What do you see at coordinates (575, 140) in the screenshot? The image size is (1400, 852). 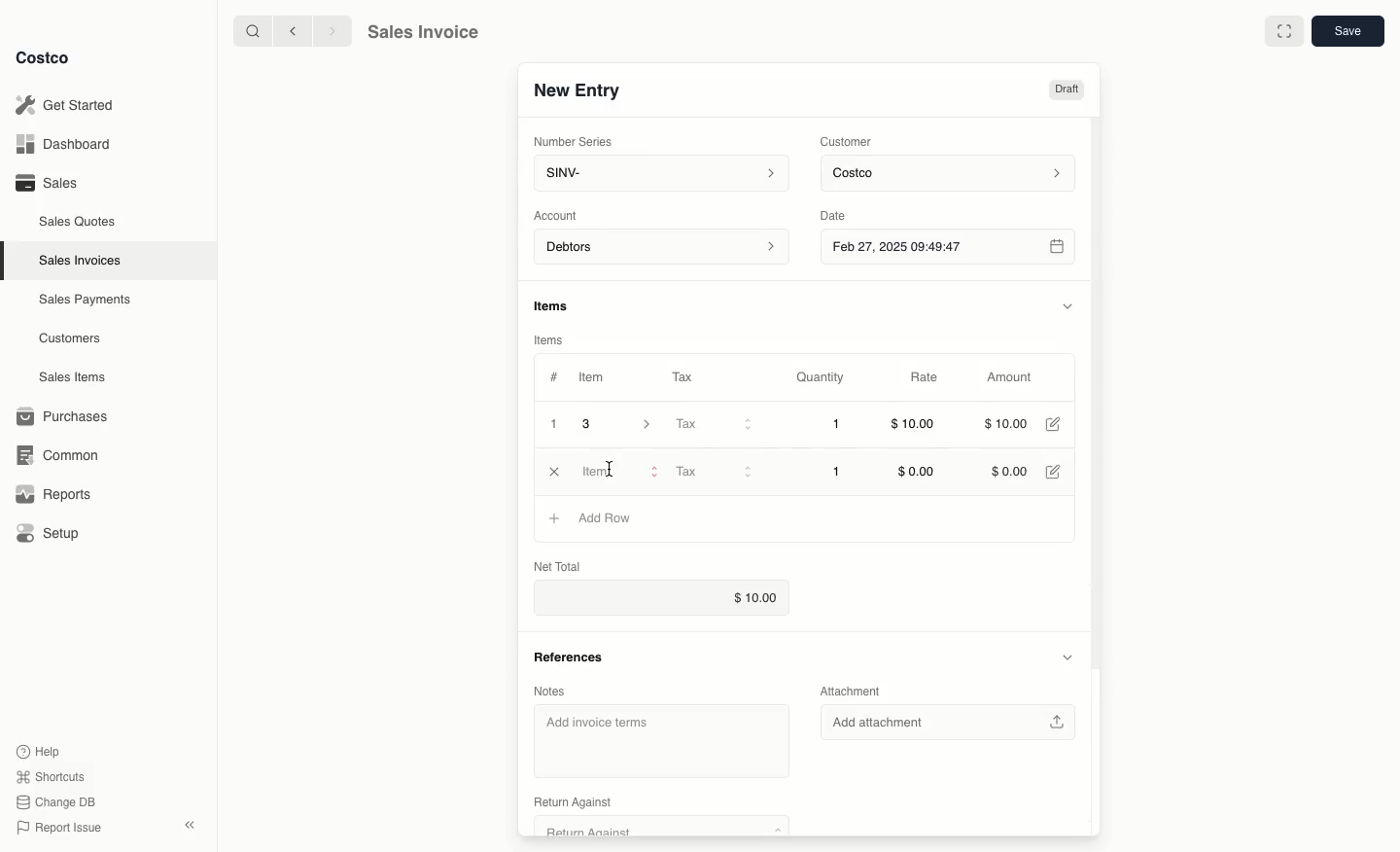 I see `Number Series` at bounding box center [575, 140].